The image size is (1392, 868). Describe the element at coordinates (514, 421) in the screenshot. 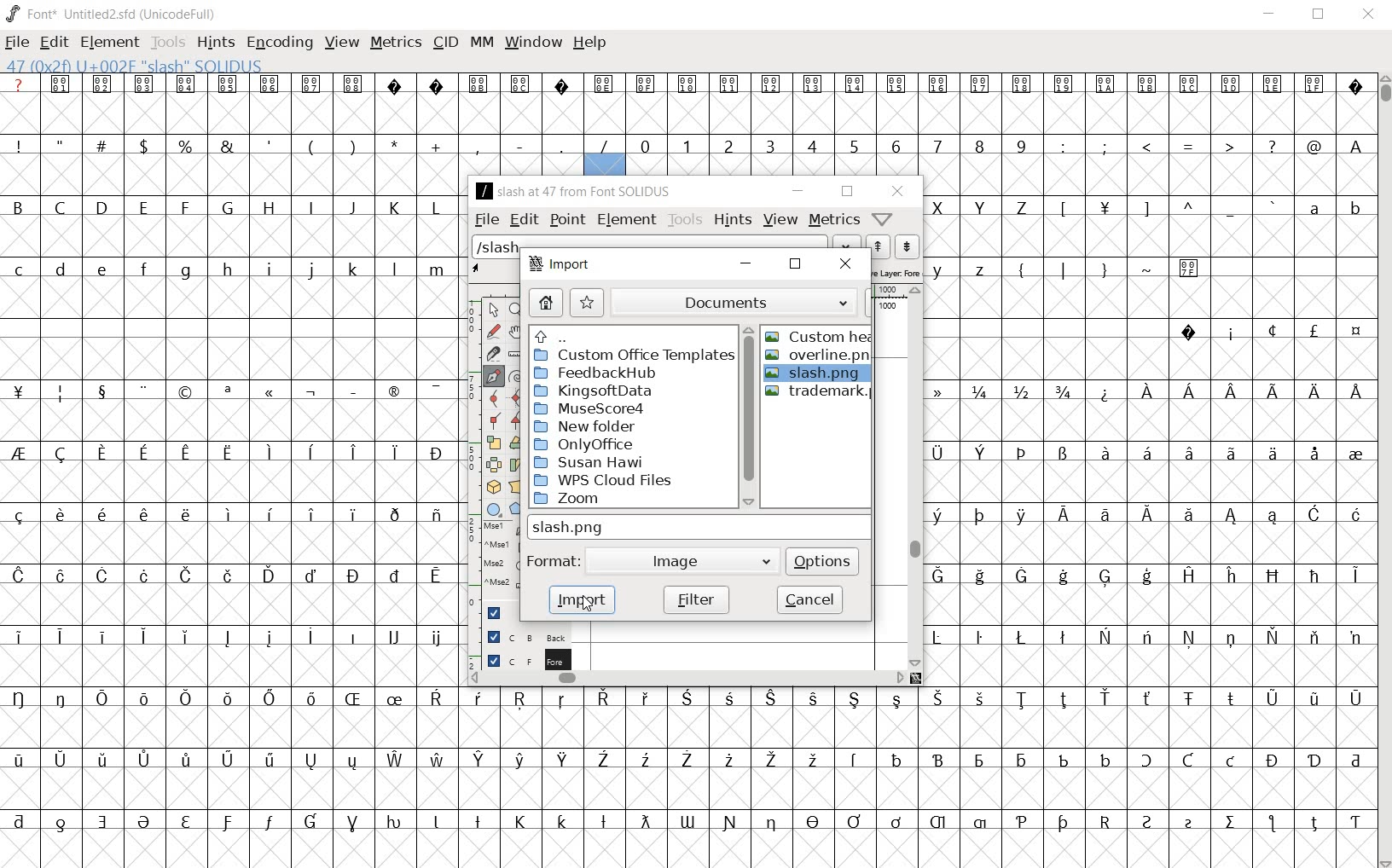

I see `Add a corner point` at that location.